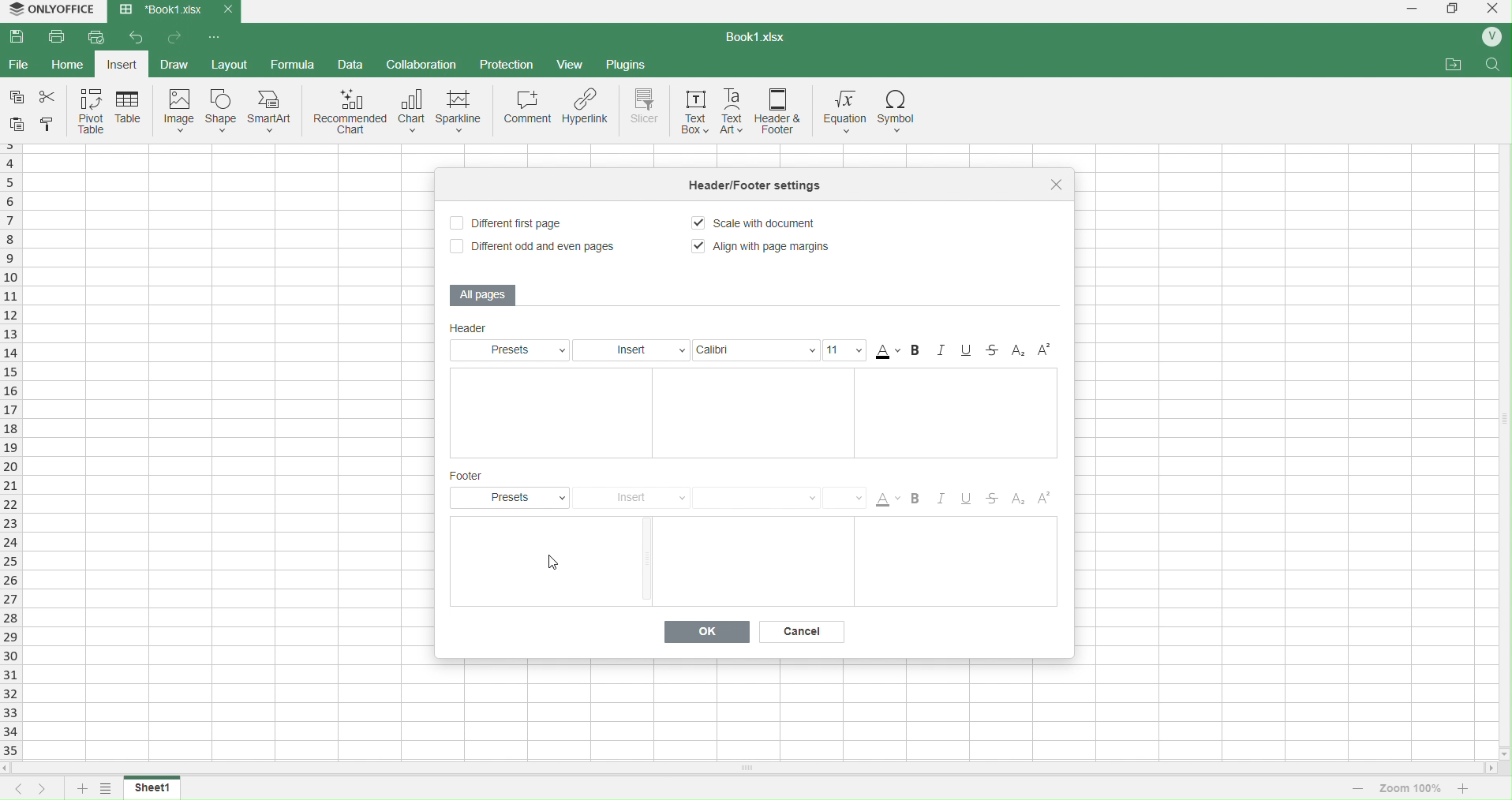  Describe the element at coordinates (847, 498) in the screenshot. I see `Size` at that location.